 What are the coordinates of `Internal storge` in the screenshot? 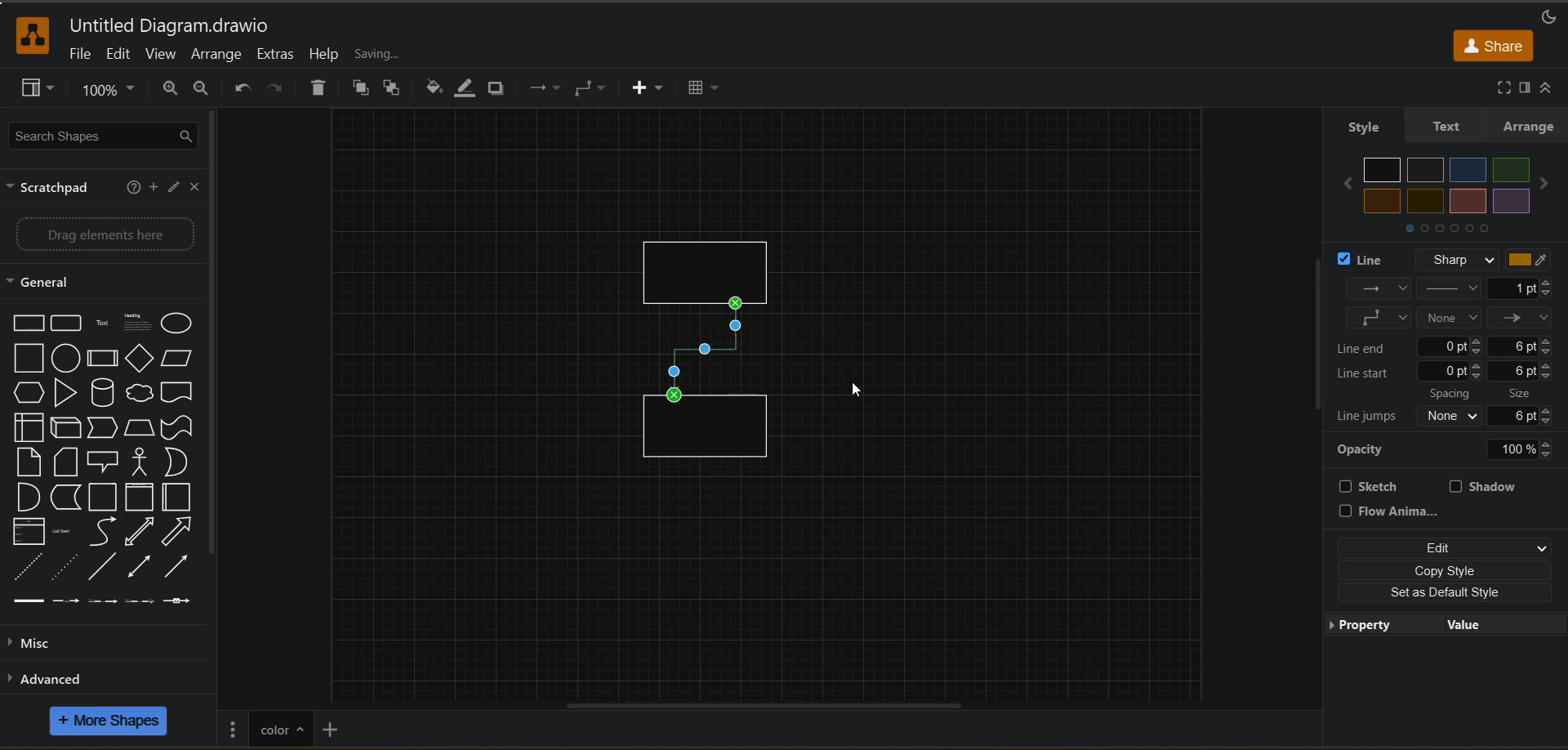 It's located at (24, 428).